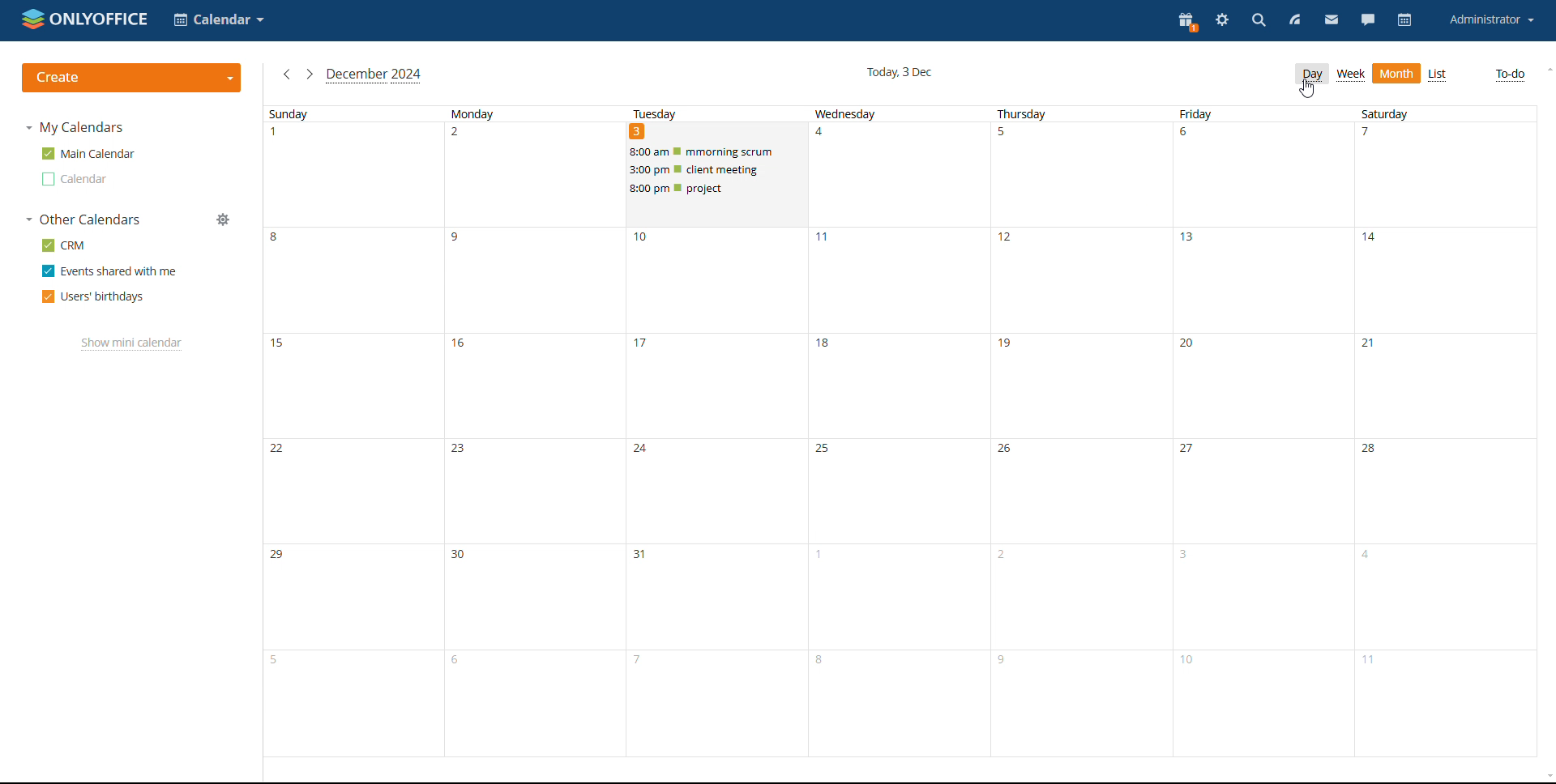 The image size is (1556, 784). I want to click on wednesday, so click(896, 431).